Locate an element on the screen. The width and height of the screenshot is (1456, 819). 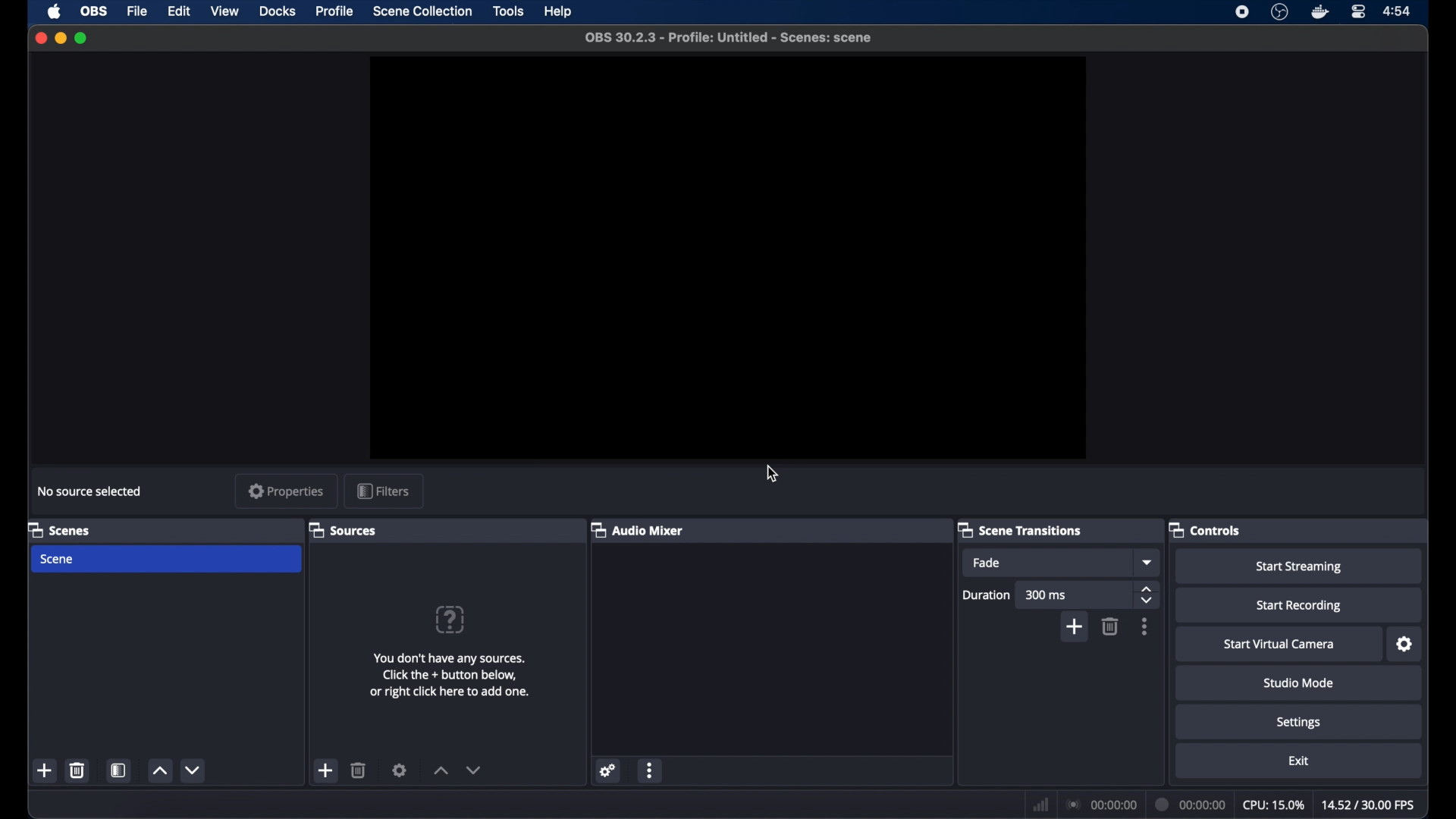
sources is located at coordinates (343, 531).